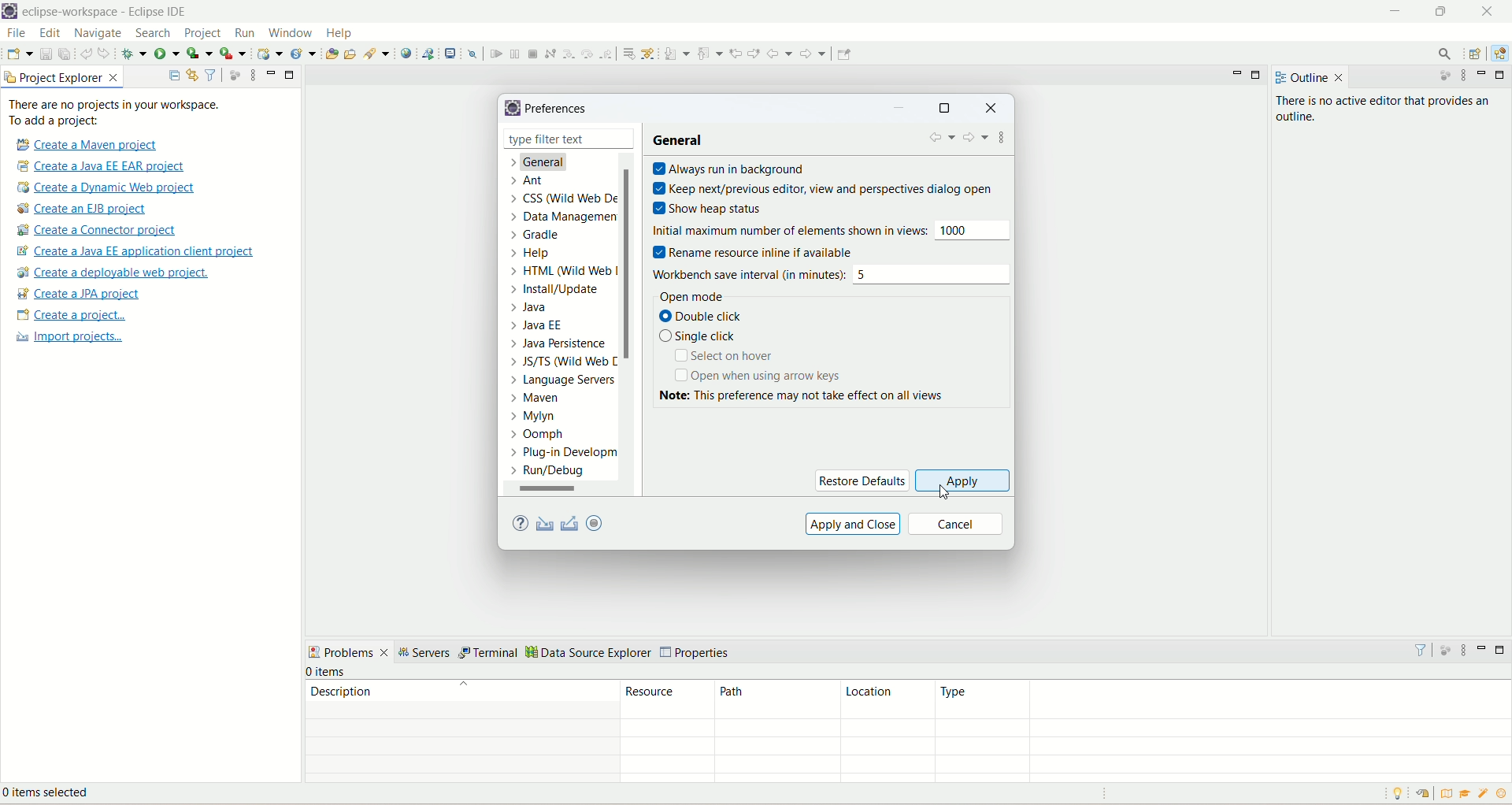 This screenshot has height=805, width=1512. Describe the element at coordinates (697, 653) in the screenshot. I see `properties` at that location.